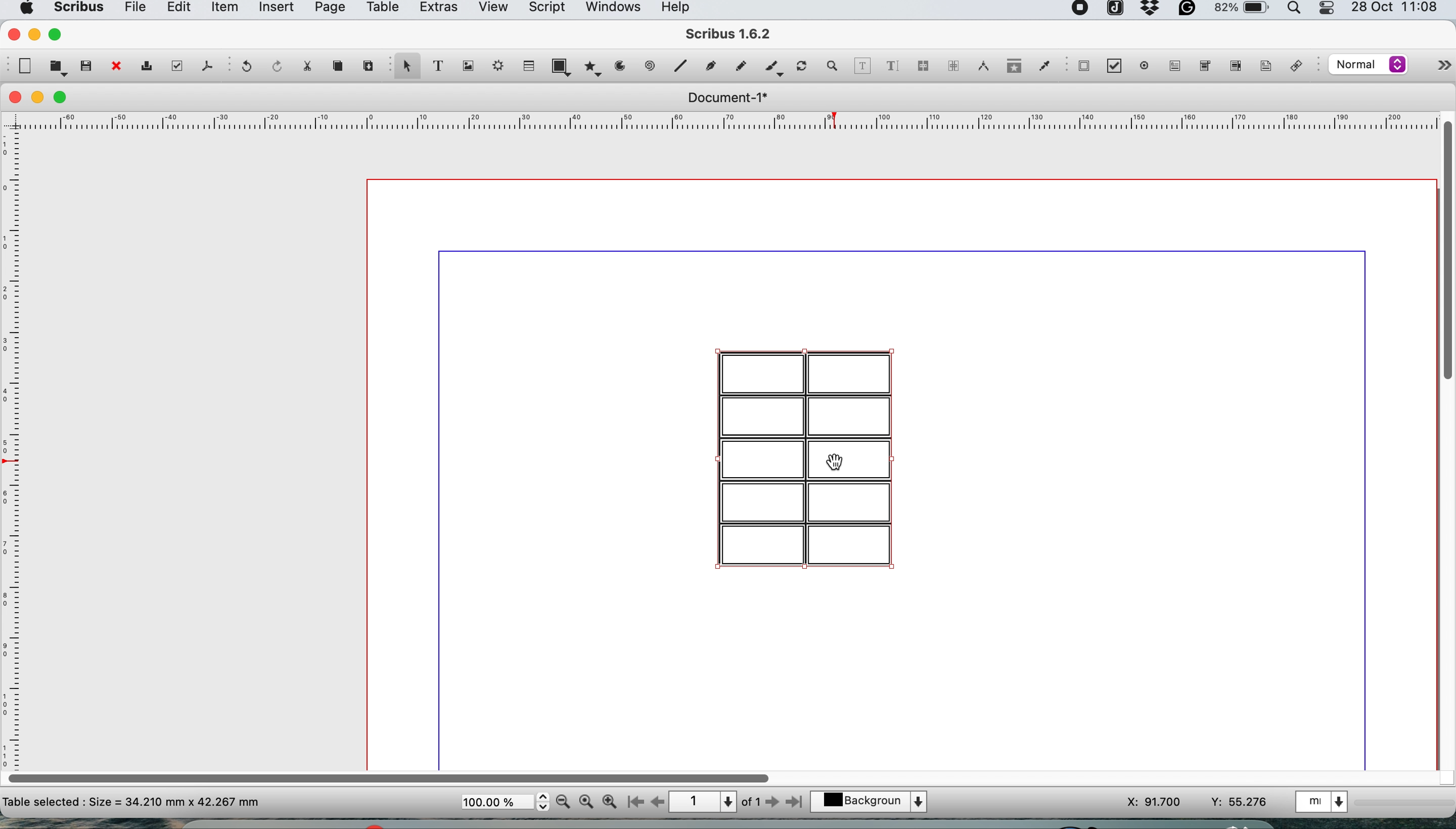  I want to click on spiral, so click(651, 65).